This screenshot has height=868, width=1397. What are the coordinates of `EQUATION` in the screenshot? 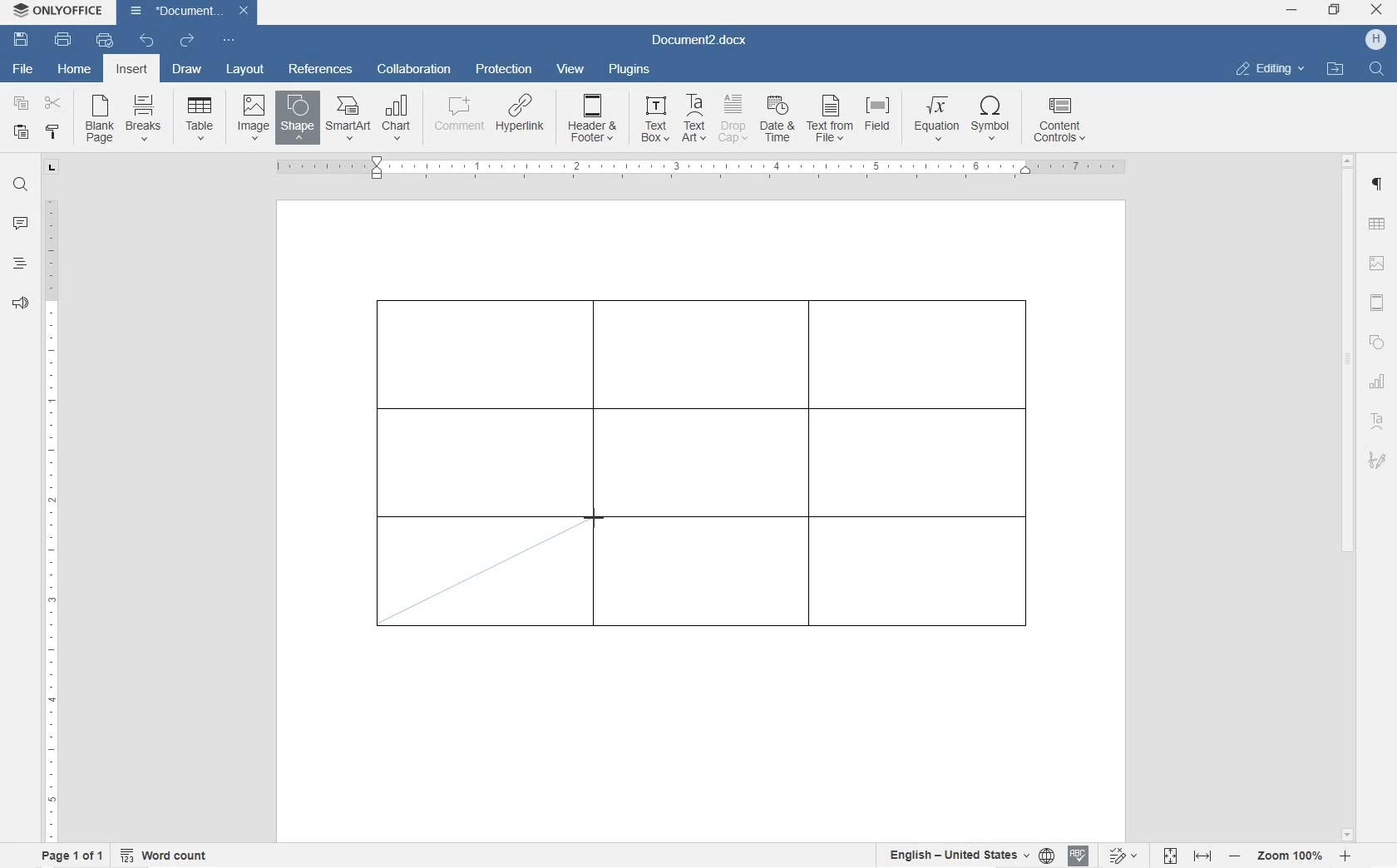 It's located at (937, 119).